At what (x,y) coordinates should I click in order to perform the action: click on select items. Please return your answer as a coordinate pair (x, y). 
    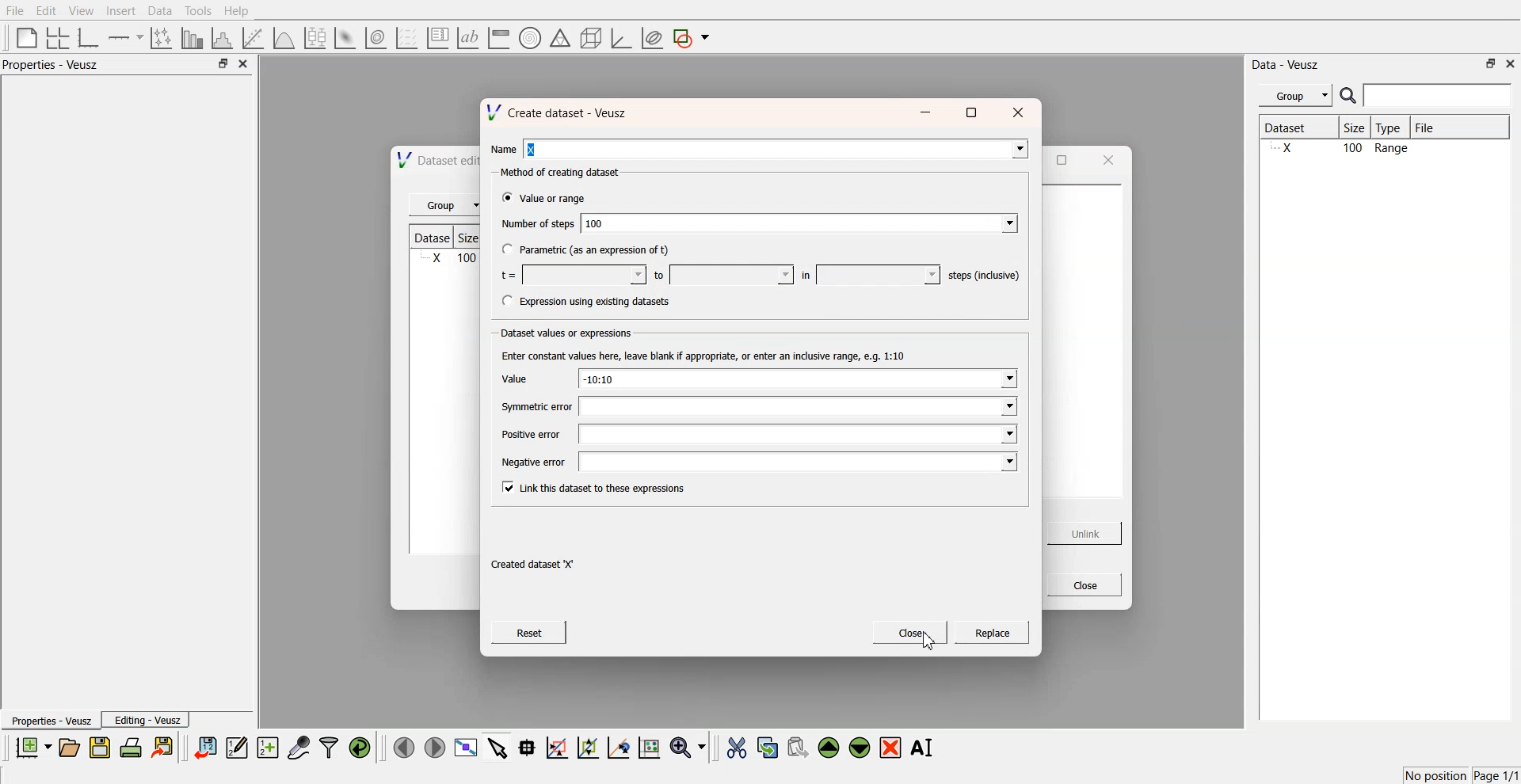
    Looking at the image, I should click on (497, 747).